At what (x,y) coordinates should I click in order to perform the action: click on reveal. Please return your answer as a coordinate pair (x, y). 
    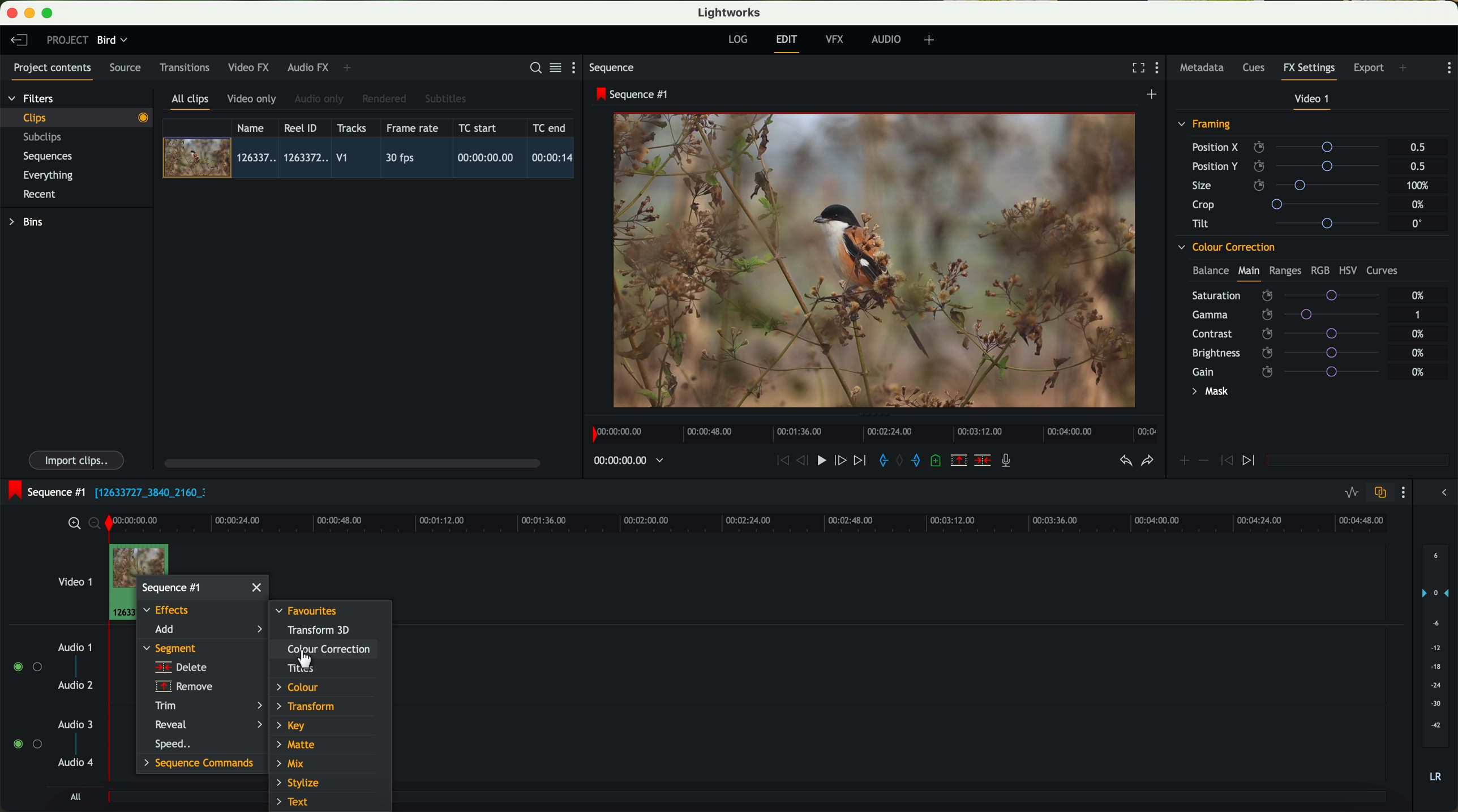
    Looking at the image, I should click on (211, 724).